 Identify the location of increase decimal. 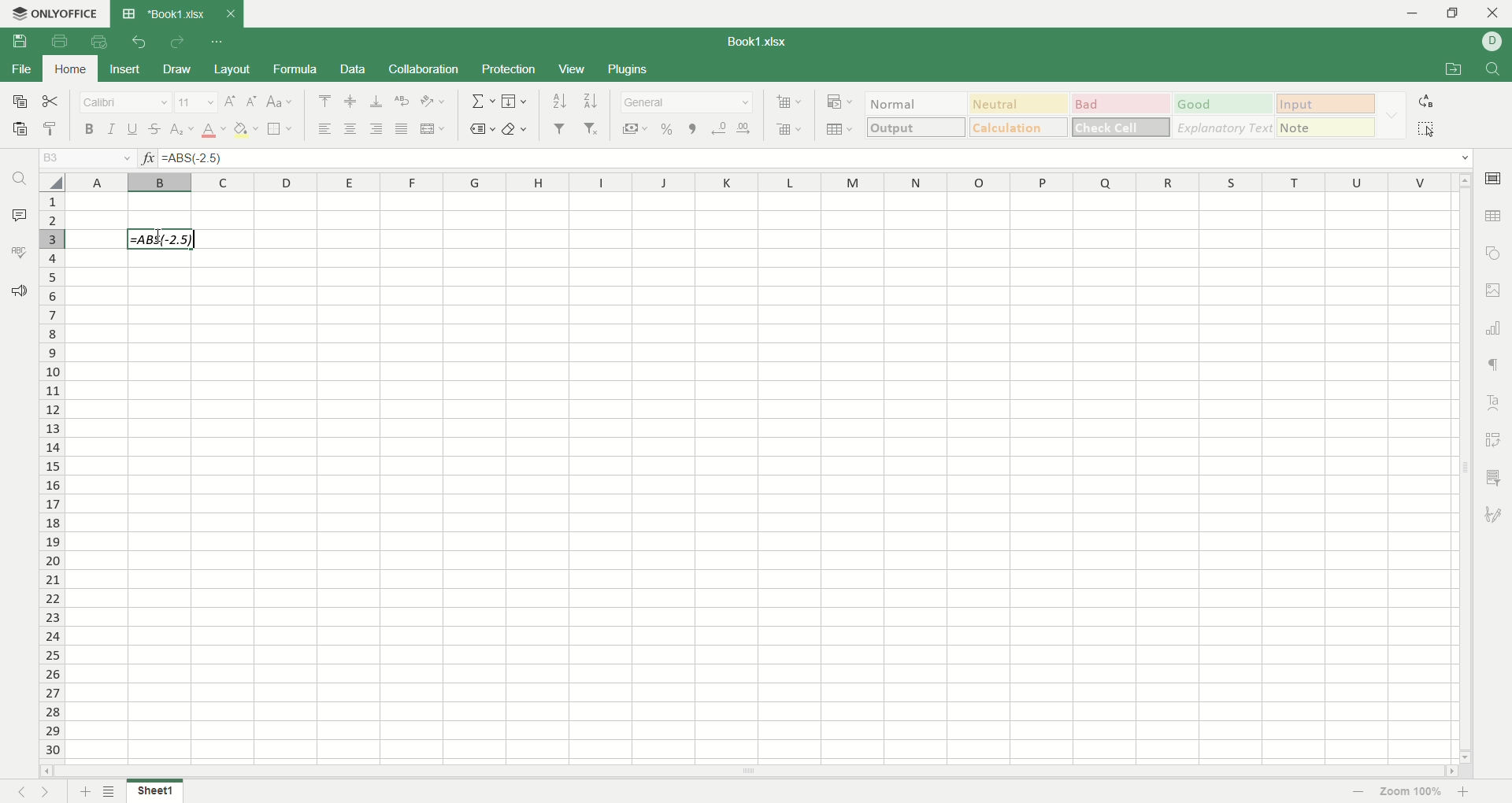
(720, 129).